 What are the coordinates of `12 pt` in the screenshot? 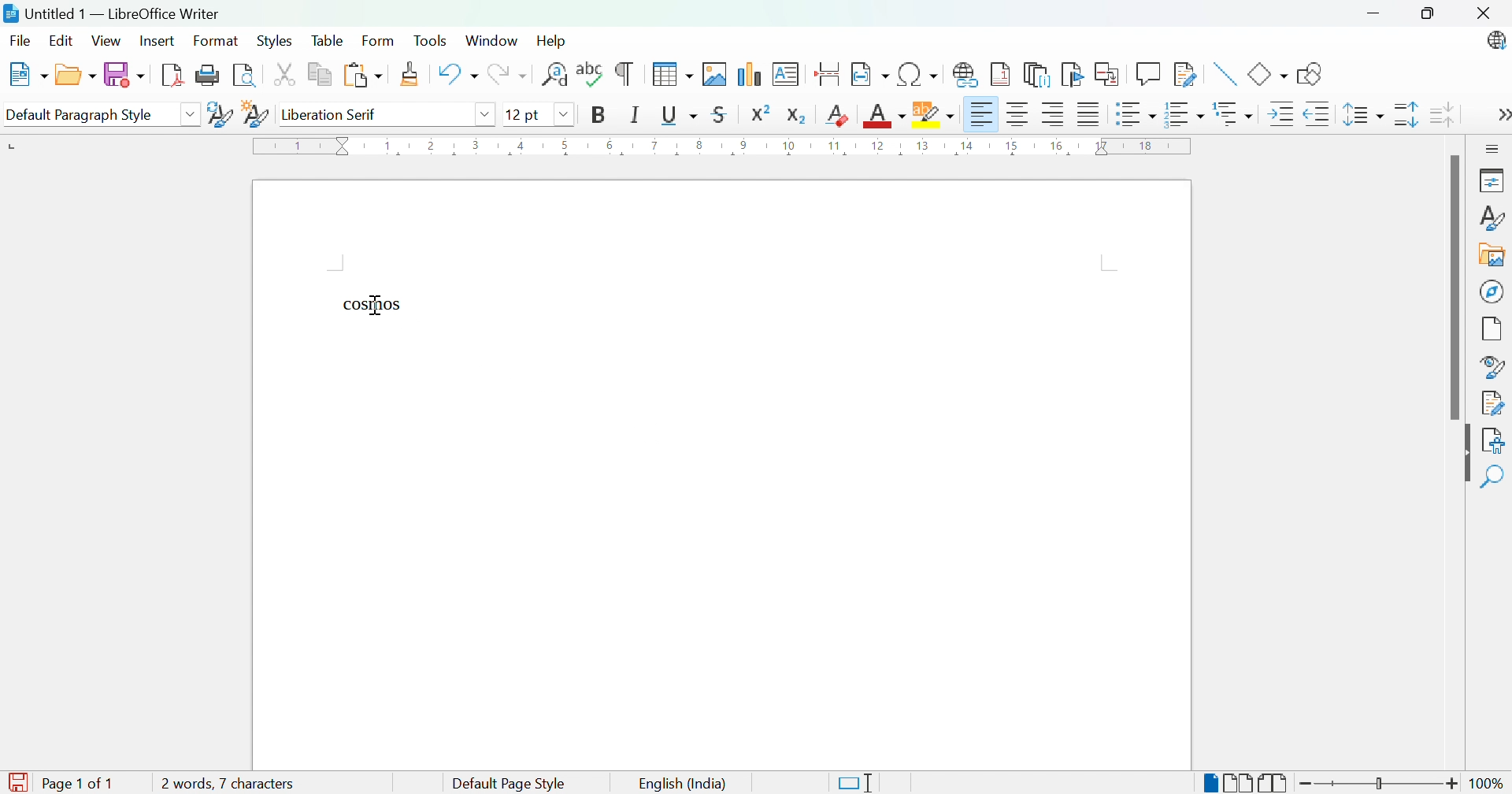 It's located at (527, 114).